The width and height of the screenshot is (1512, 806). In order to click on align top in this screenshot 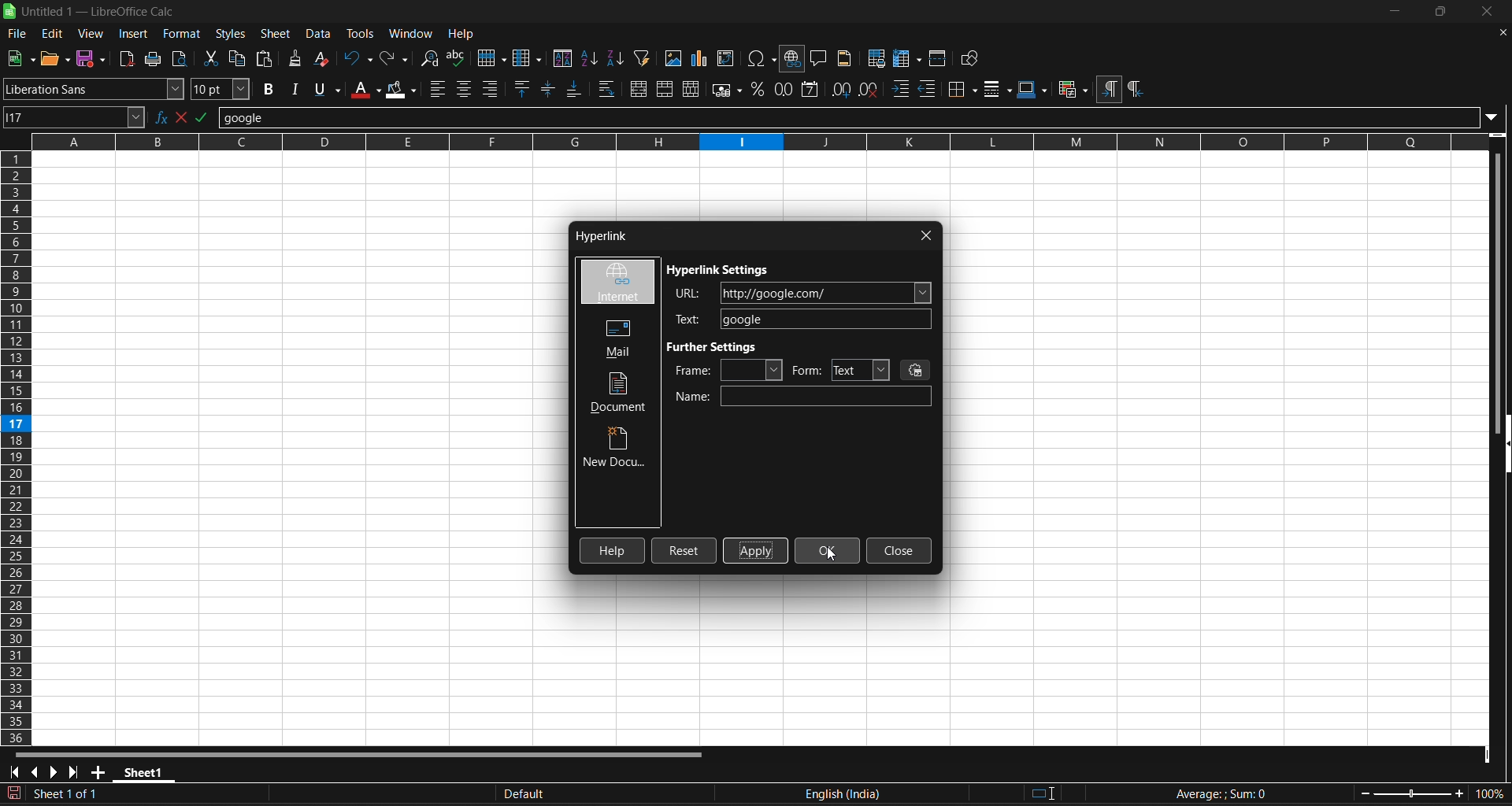, I will do `click(524, 88)`.